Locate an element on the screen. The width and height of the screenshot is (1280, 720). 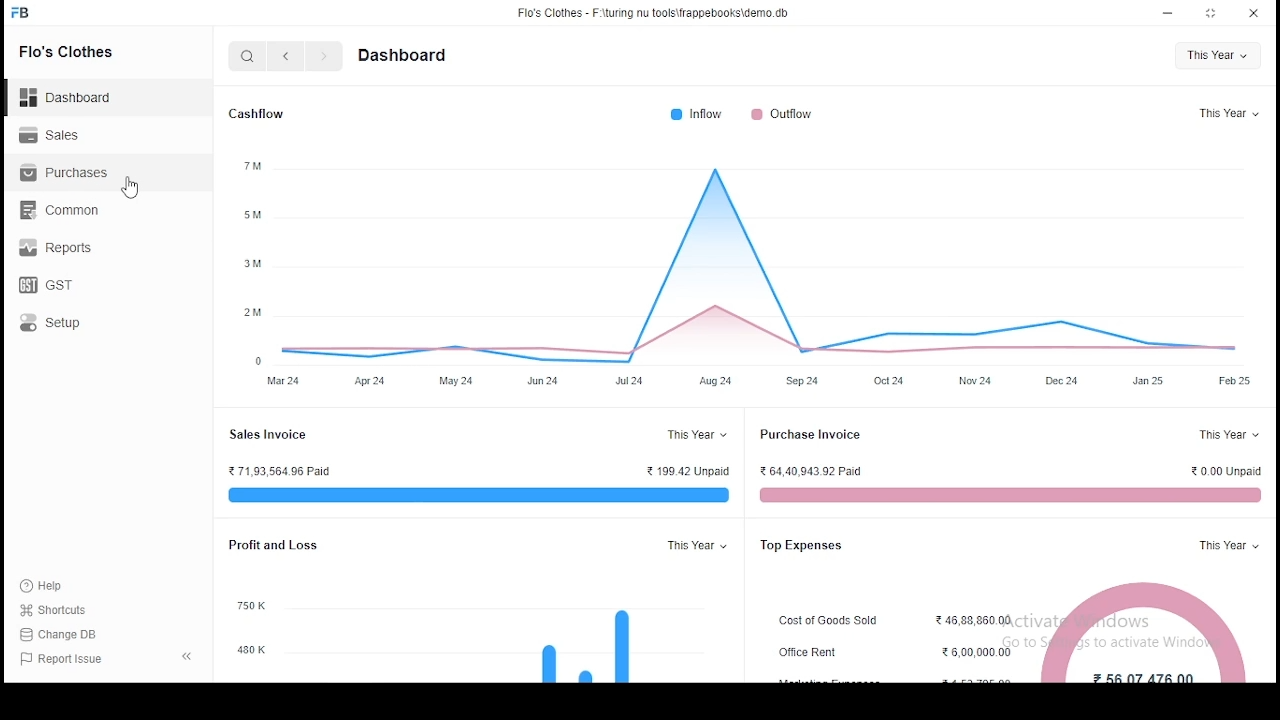
gst is located at coordinates (46, 285).